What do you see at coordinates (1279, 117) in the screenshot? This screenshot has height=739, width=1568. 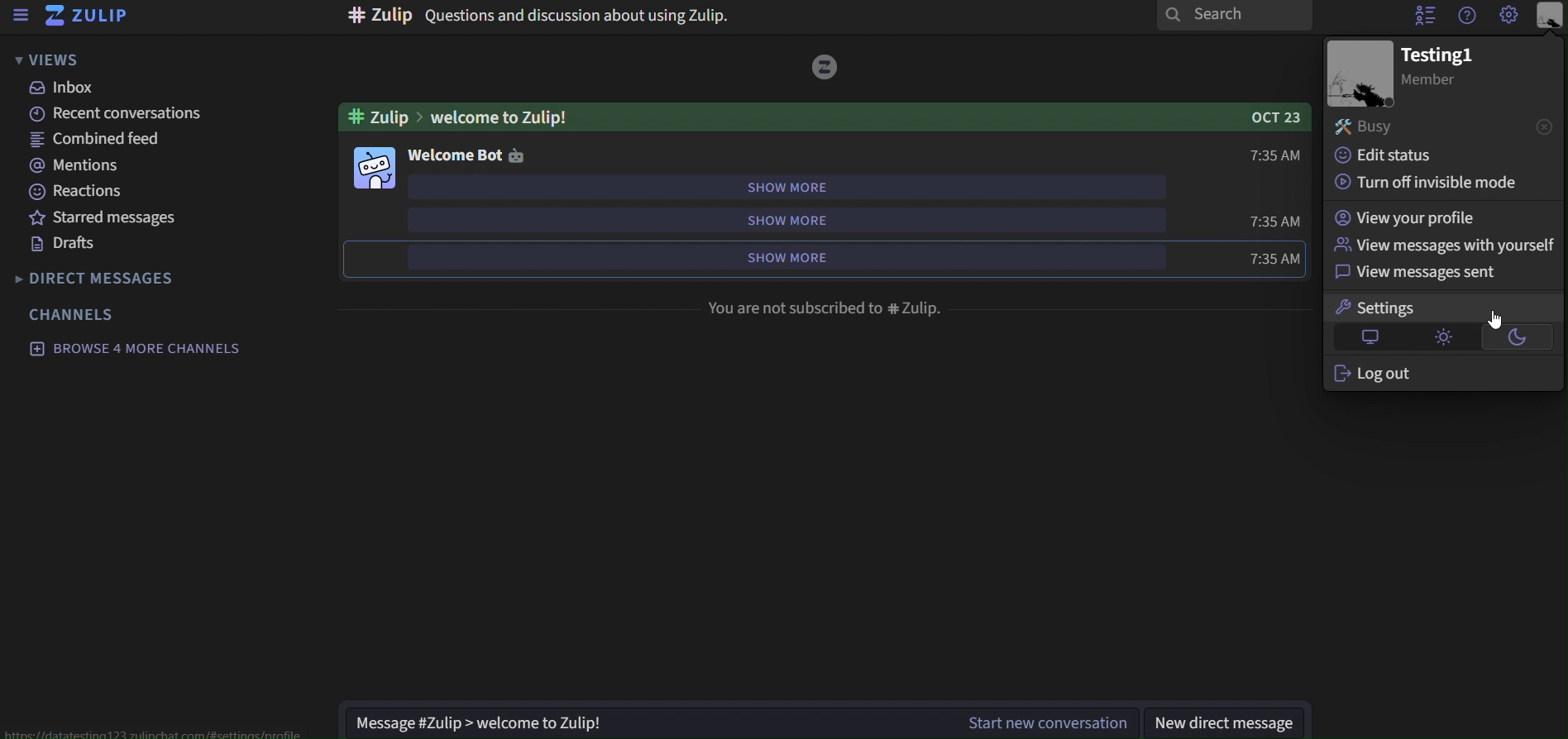 I see `OCT 23` at bounding box center [1279, 117].